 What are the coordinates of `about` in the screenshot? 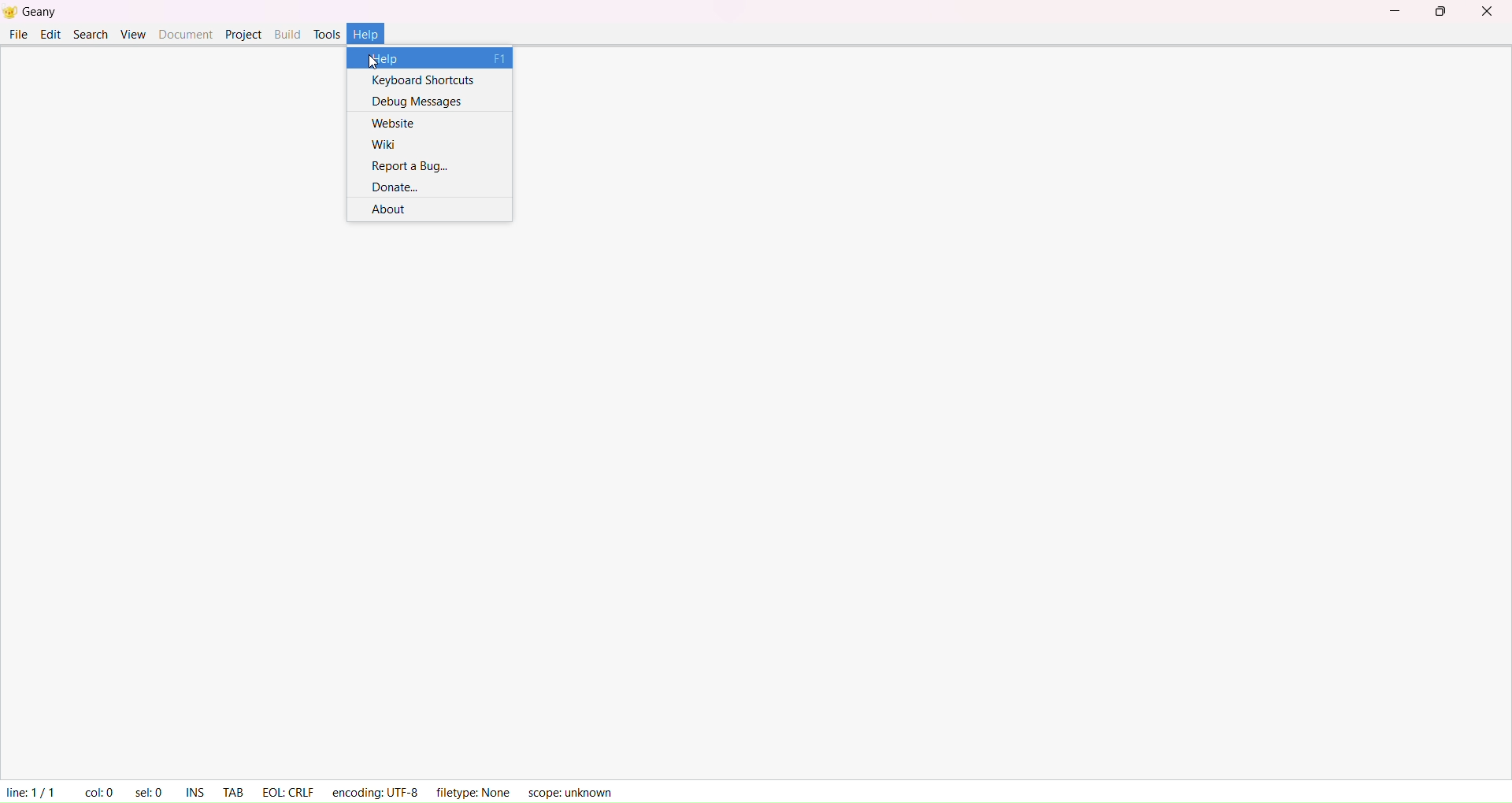 It's located at (394, 211).